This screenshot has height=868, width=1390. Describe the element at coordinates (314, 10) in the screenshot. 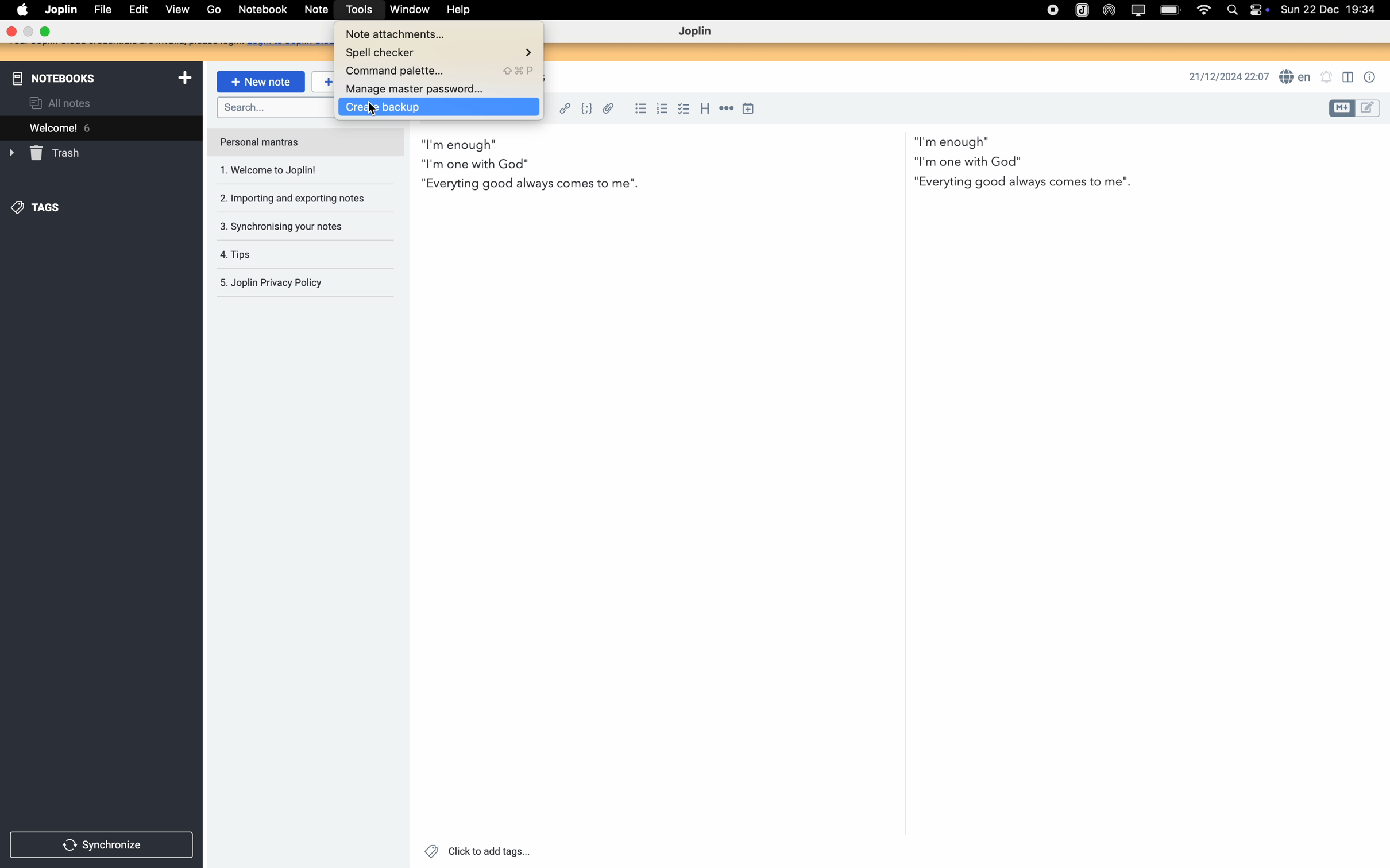

I see `note` at that location.